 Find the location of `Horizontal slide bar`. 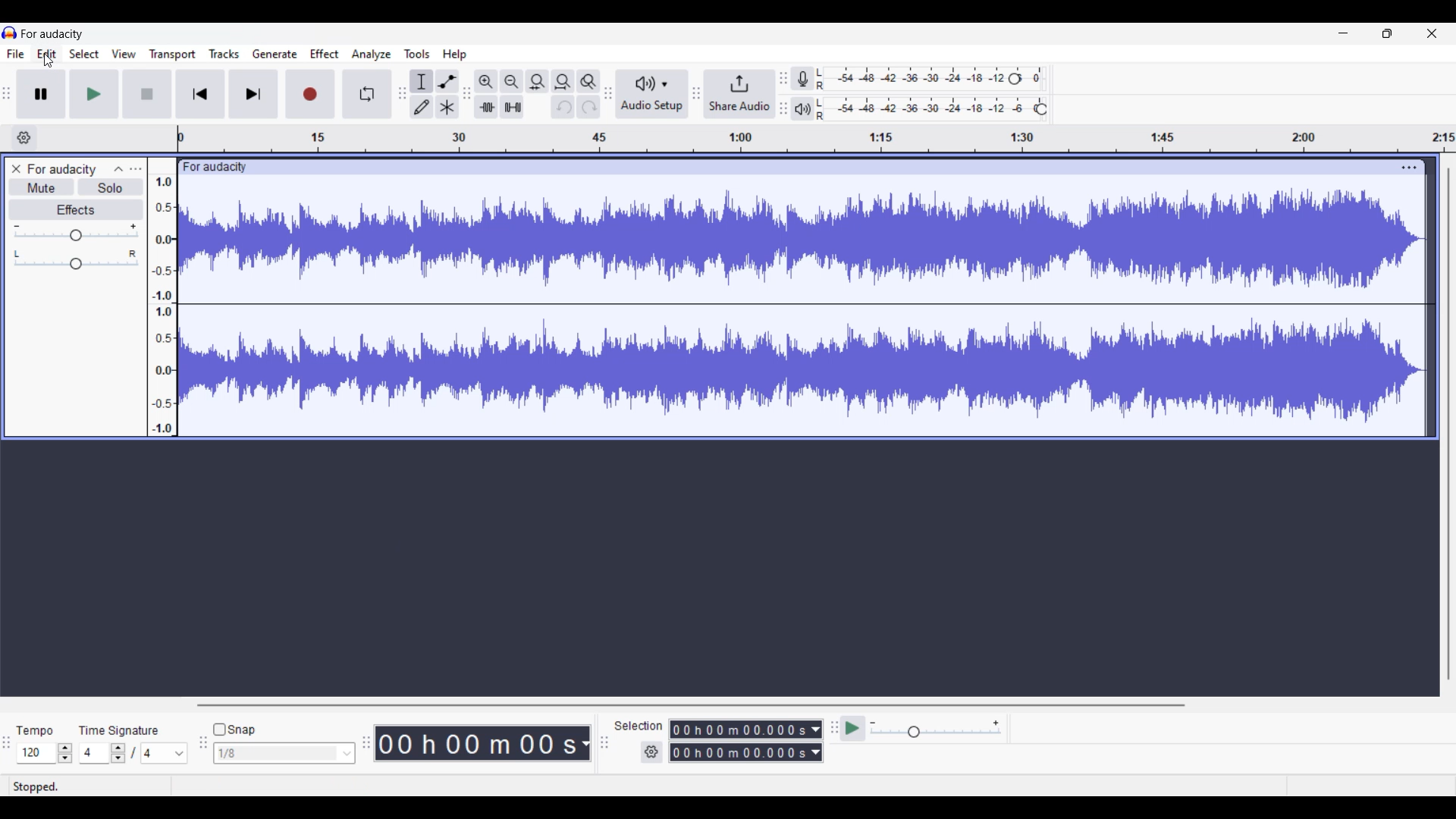

Horizontal slide bar is located at coordinates (691, 705).